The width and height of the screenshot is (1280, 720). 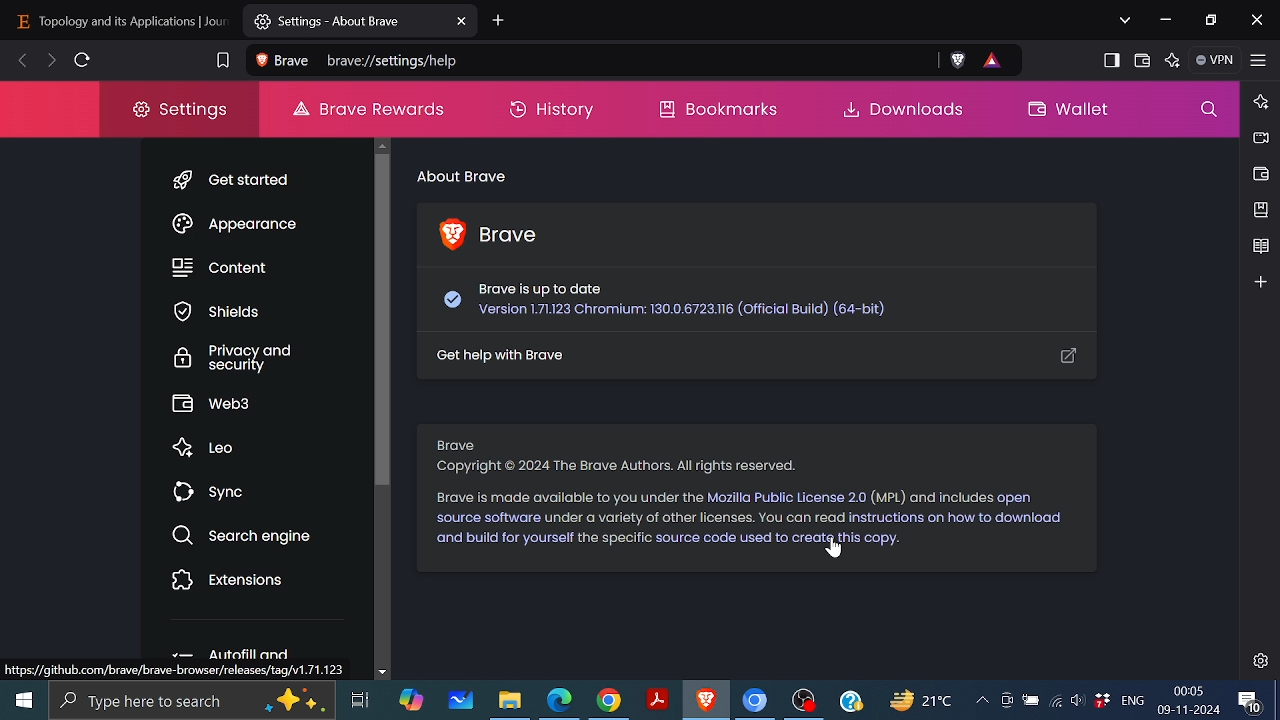 I want to click on white board, so click(x=461, y=699).